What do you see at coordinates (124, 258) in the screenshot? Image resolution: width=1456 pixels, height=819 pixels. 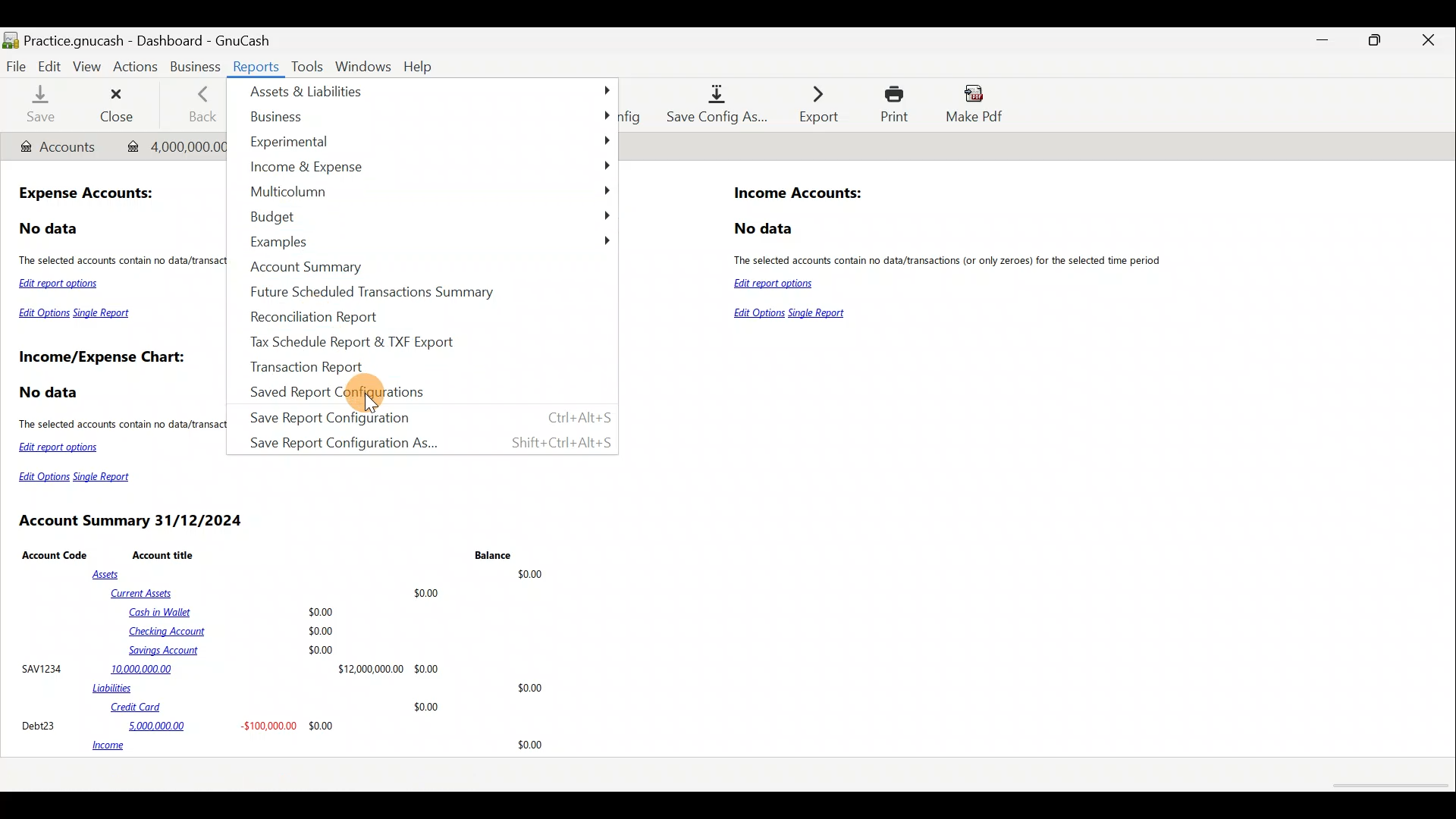 I see `The selected accounts contain no data/transactions (or only zeroes) for the selected time period` at bounding box center [124, 258].